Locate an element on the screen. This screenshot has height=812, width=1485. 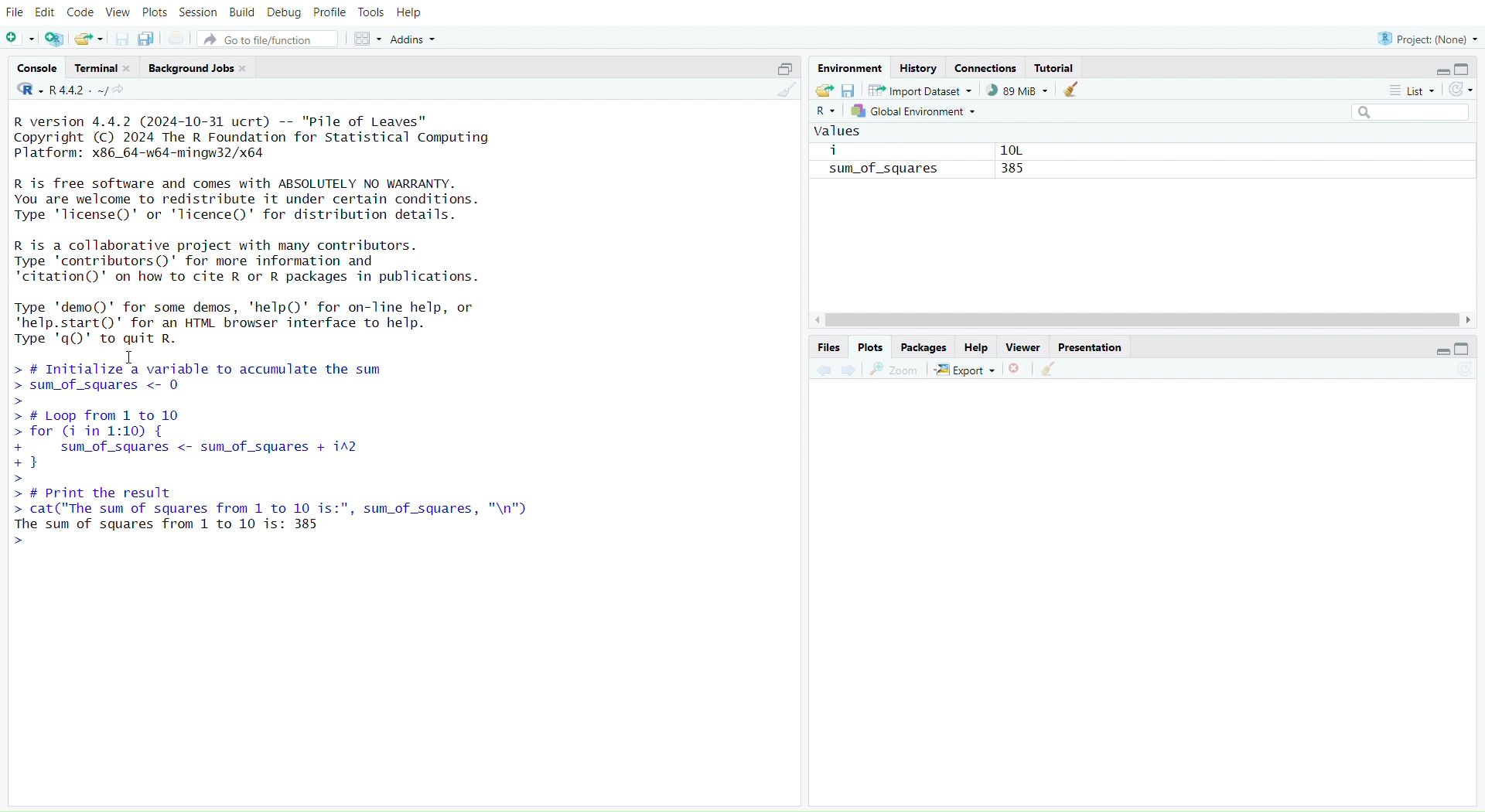
collapse is located at coordinates (1467, 348).